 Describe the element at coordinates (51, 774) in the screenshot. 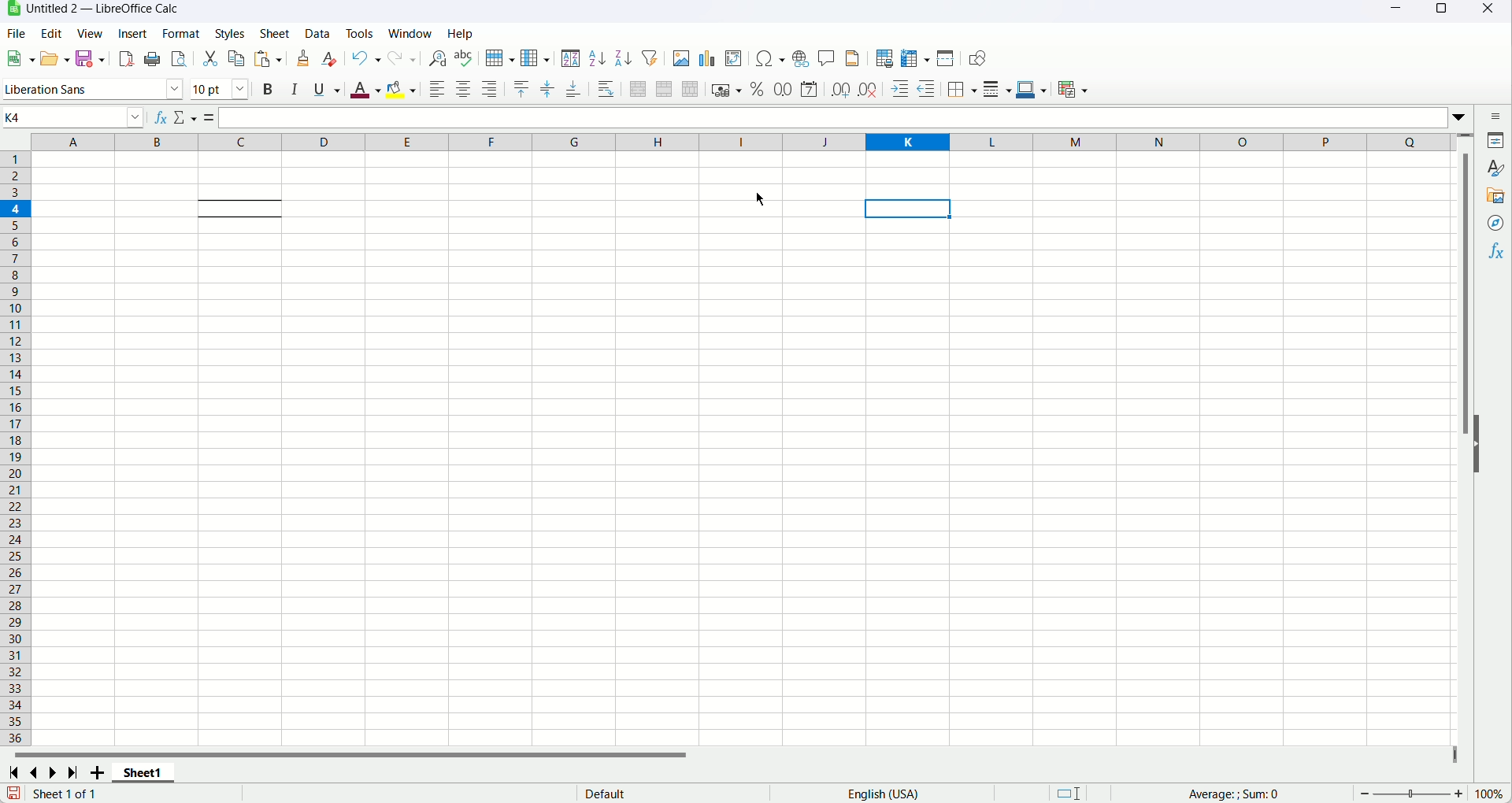

I see `Next sheet` at that location.